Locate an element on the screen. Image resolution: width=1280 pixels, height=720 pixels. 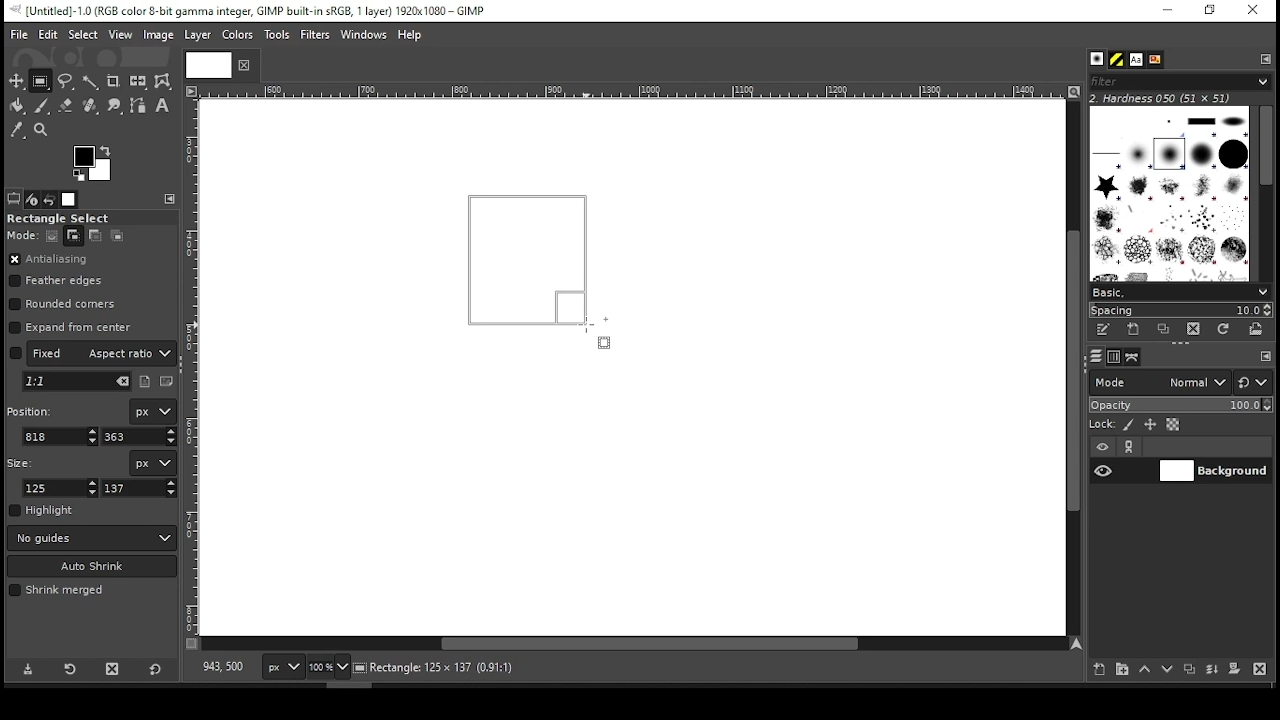
zoom level is located at coordinates (328, 669).